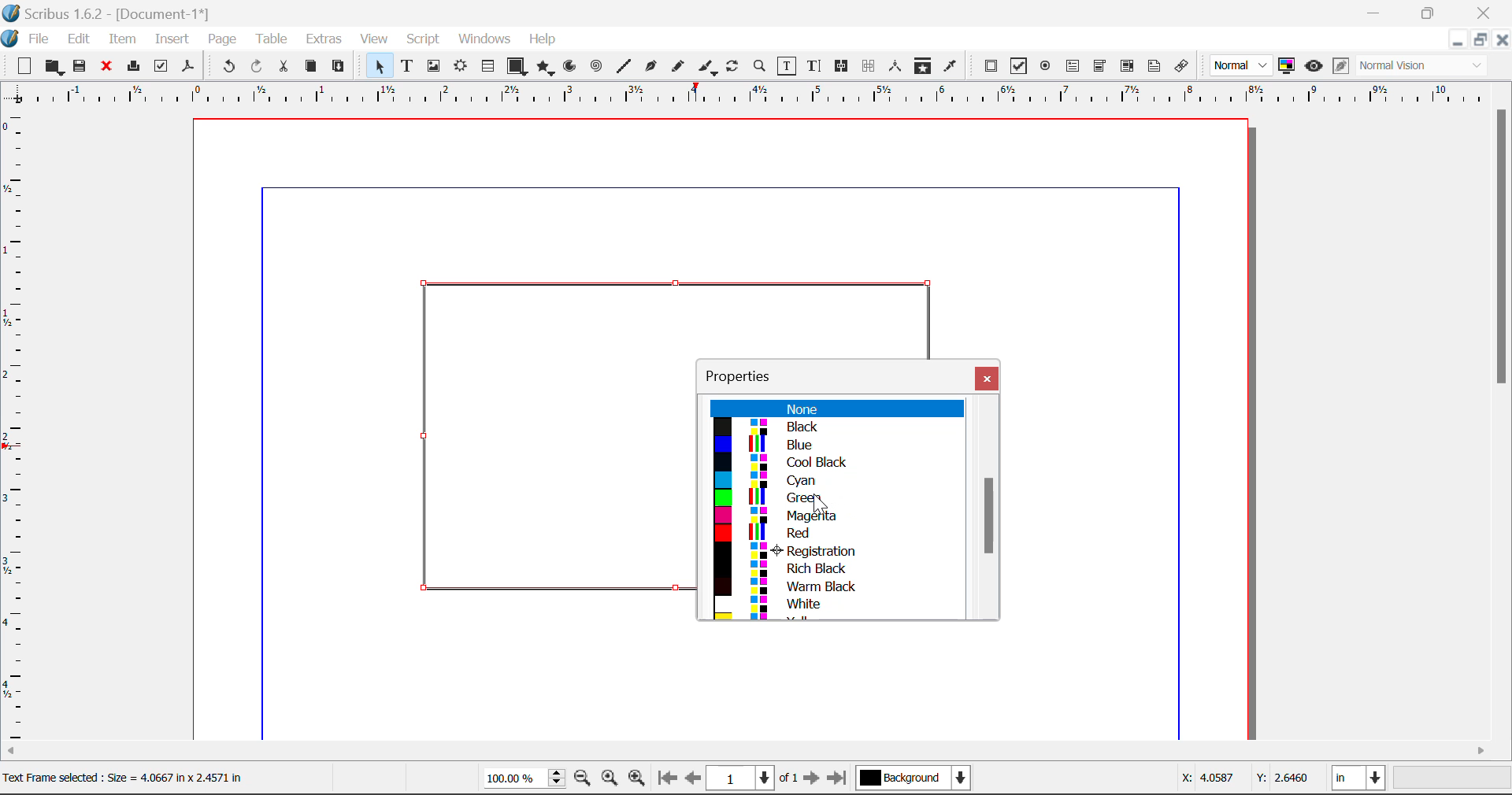 This screenshot has width=1512, height=795. Describe the element at coordinates (984, 508) in the screenshot. I see `Scroll Bar` at that location.